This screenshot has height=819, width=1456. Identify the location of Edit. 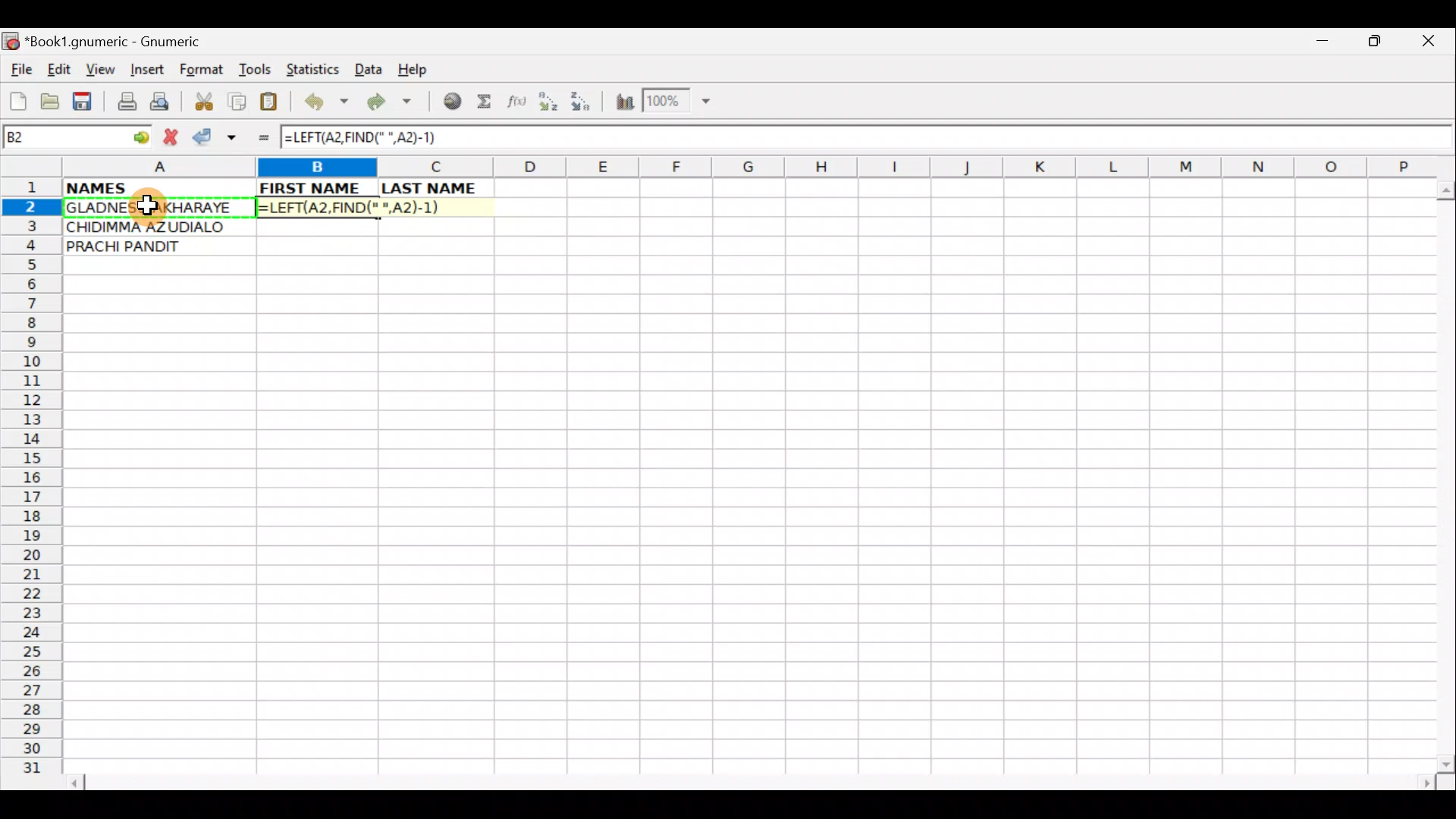
(58, 69).